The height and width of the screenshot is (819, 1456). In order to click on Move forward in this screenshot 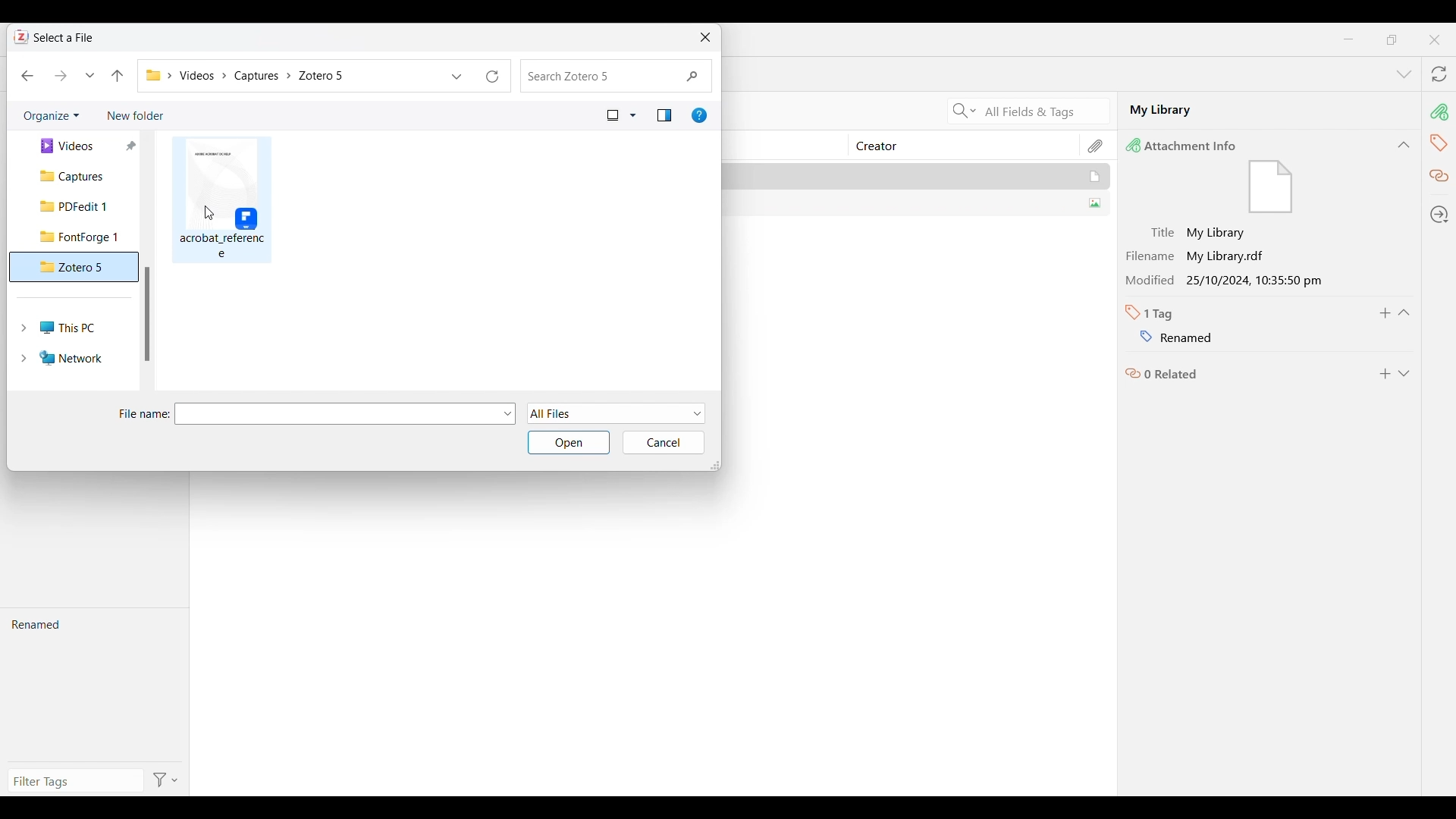, I will do `click(61, 76)`.